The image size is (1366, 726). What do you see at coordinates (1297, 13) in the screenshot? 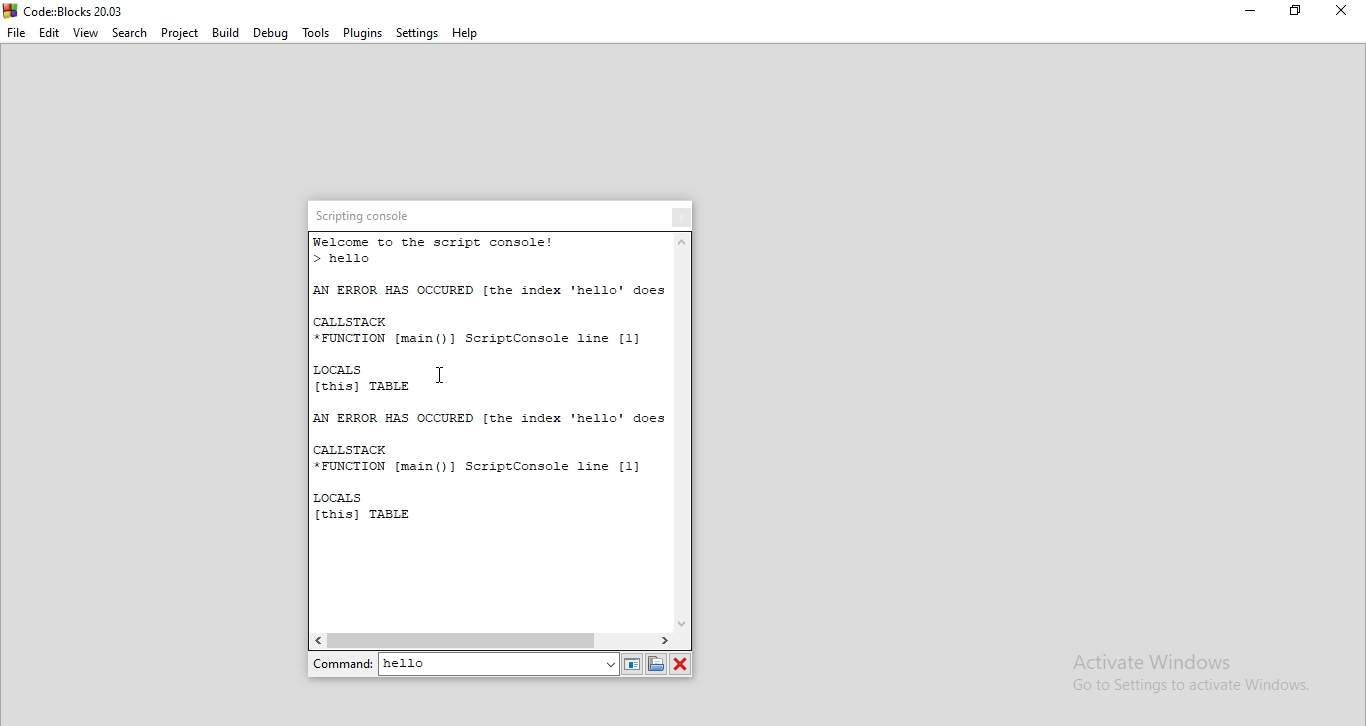
I see `Restore` at bounding box center [1297, 13].